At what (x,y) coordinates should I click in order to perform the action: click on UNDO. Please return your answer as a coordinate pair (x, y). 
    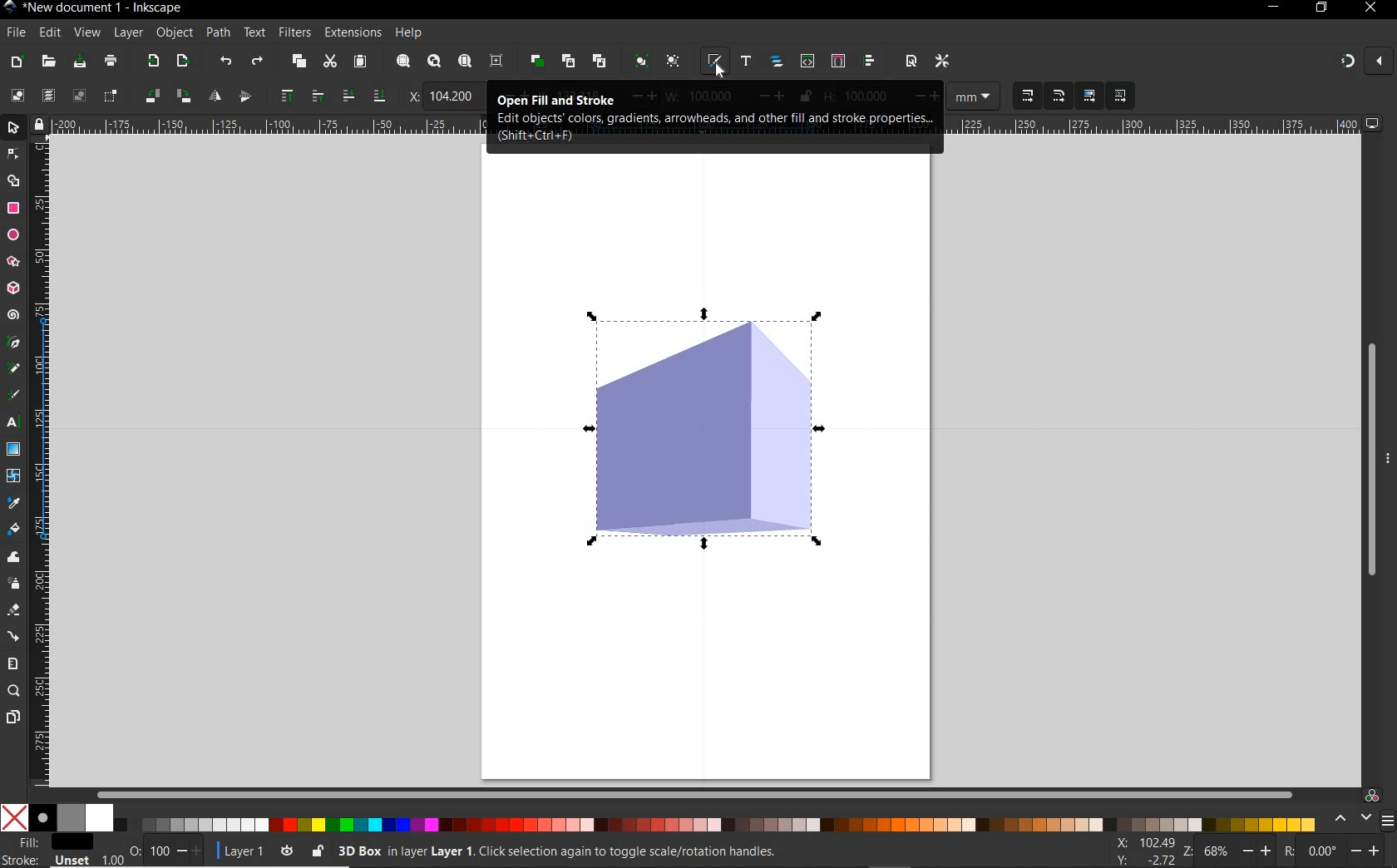
    Looking at the image, I should click on (226, 62).